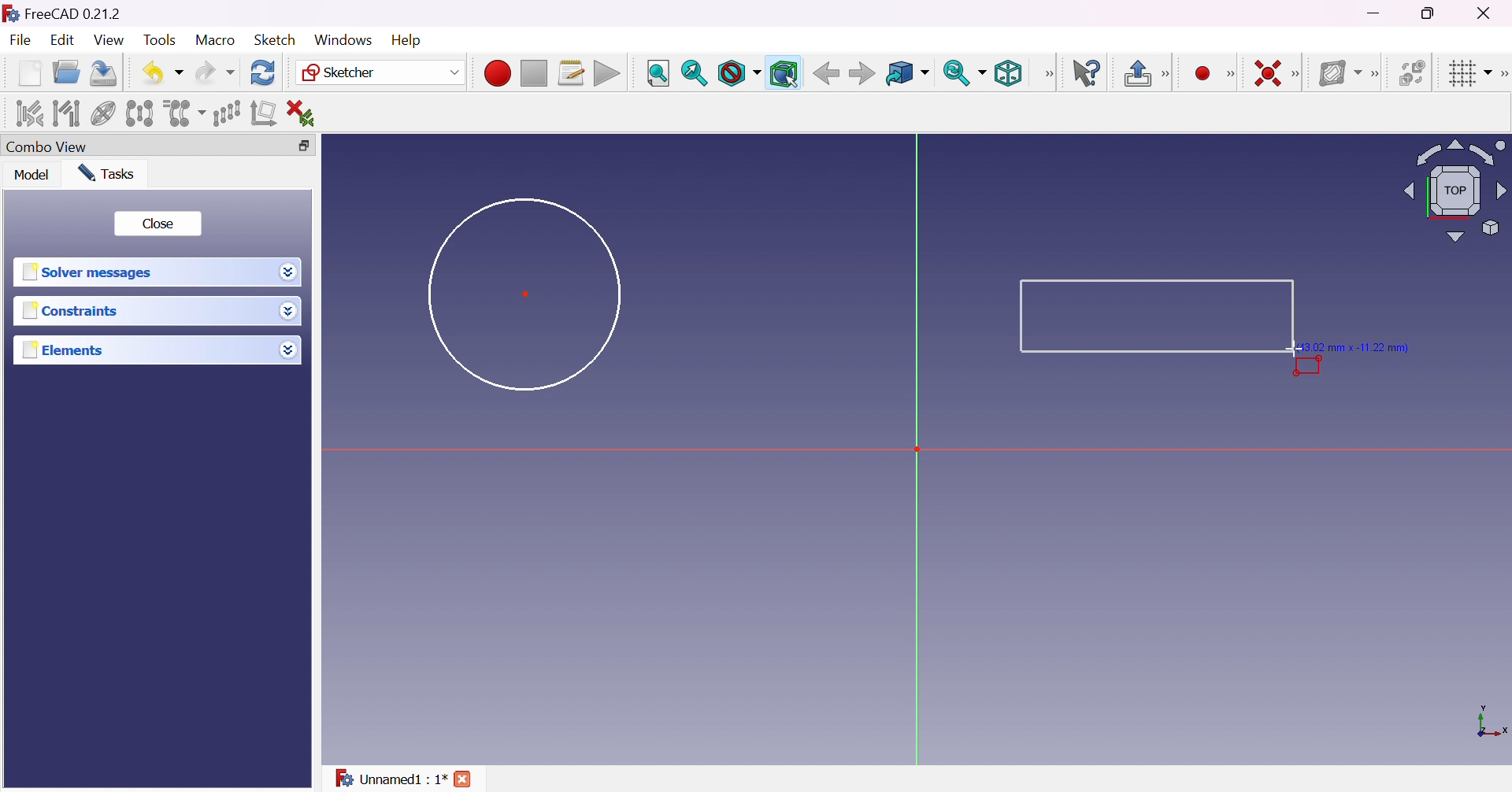 The width and height of the screenshot is (1512, 792). Describe the element at coordinates (64, 42) in the screenshot. I see `Edit` at that location.